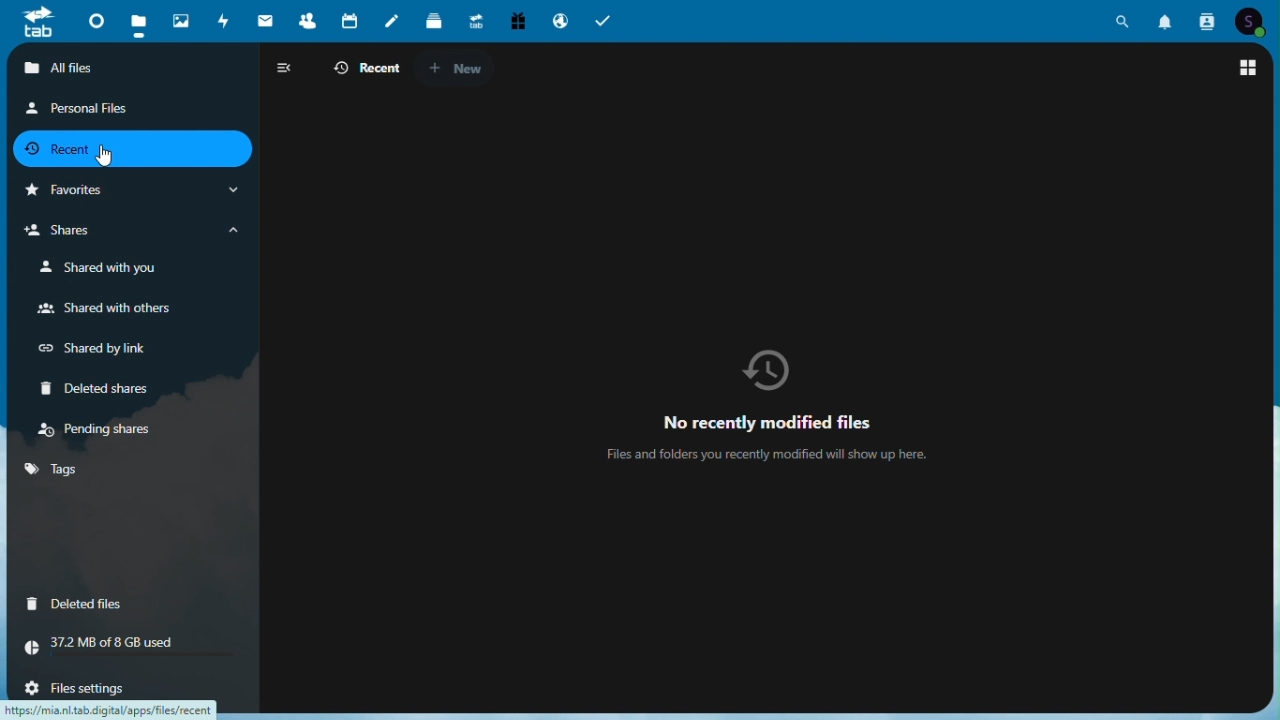 Image resolution: width=1280 pixels, height=720 pixels. Describe the element at coordinates (130, 148) in the screenshot. I see `Recent` at that location.